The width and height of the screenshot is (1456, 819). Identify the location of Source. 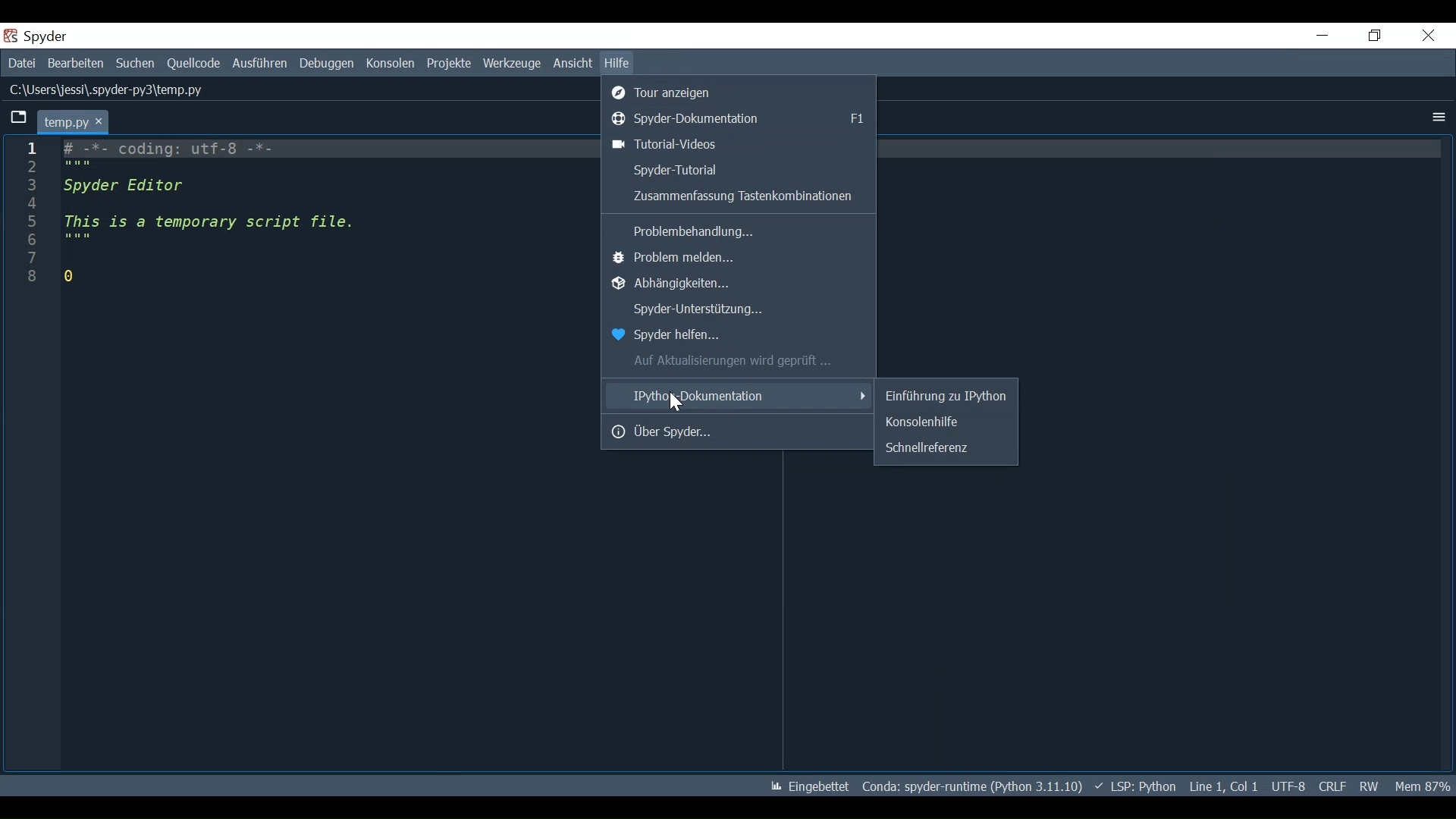
(193, 64).